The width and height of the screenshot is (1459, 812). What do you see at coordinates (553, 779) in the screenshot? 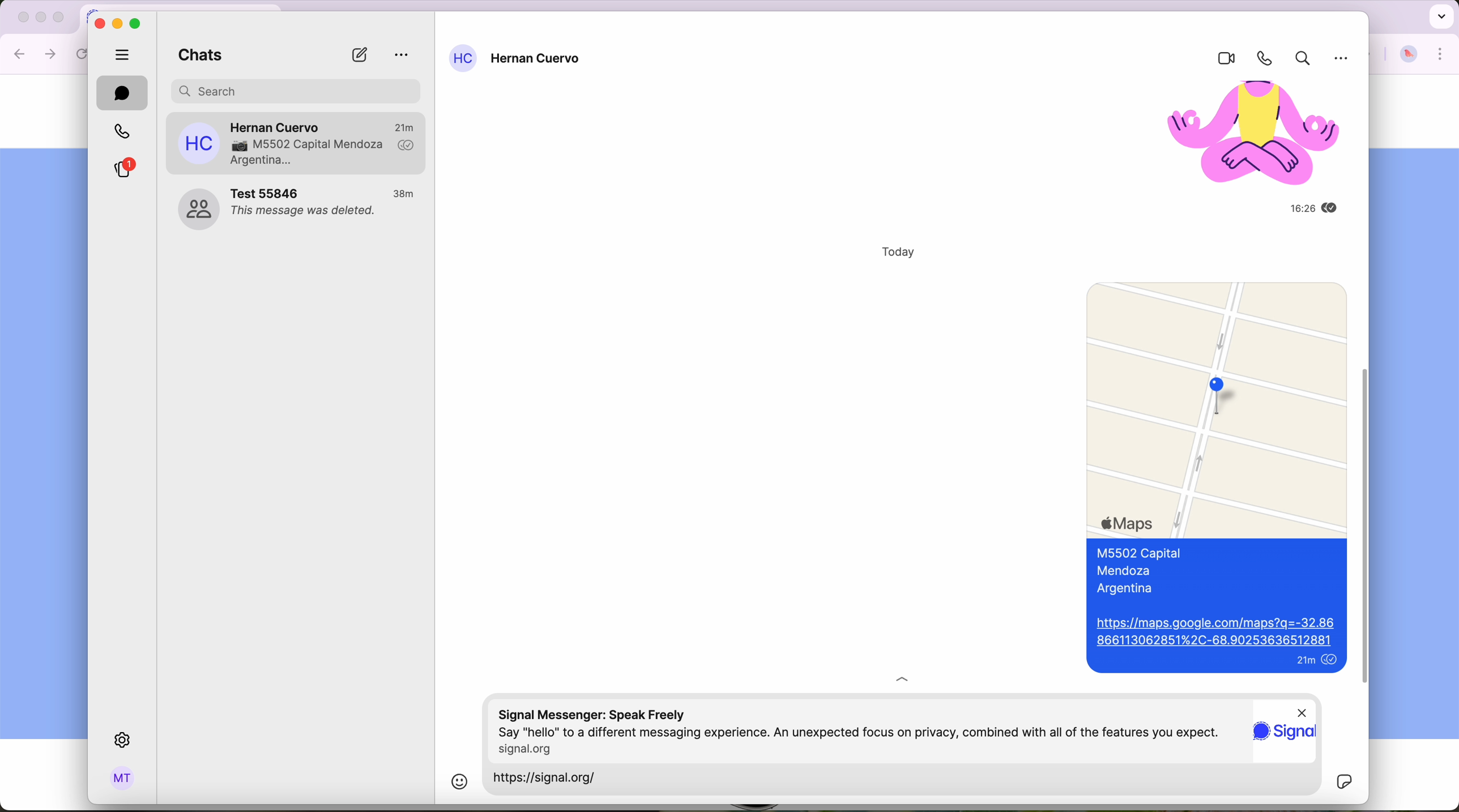
I see `https://signal.org/` at bounding box center [553, 779].